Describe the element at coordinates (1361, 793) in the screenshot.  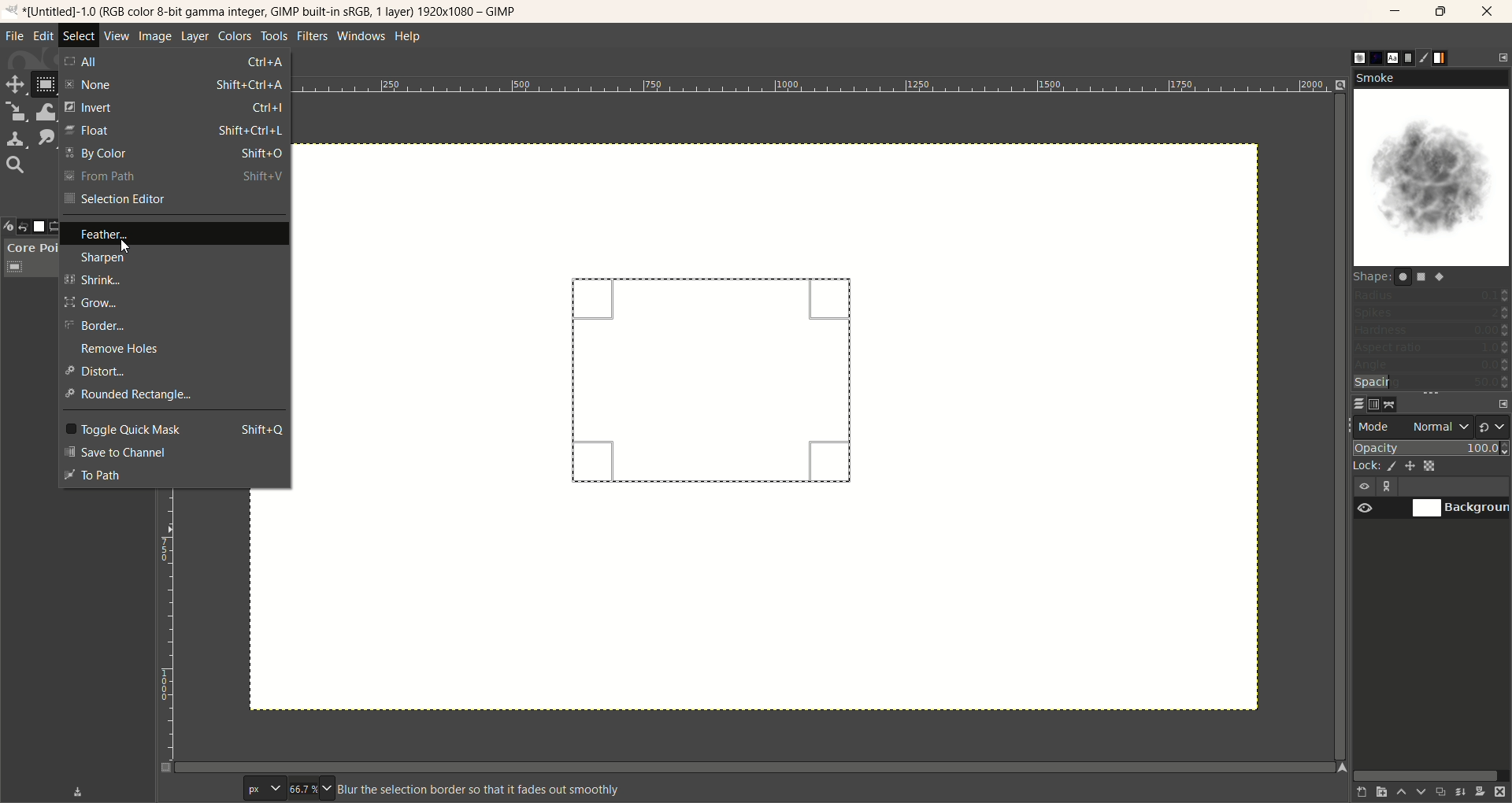
I see `create a new layer with last used values` at that location.